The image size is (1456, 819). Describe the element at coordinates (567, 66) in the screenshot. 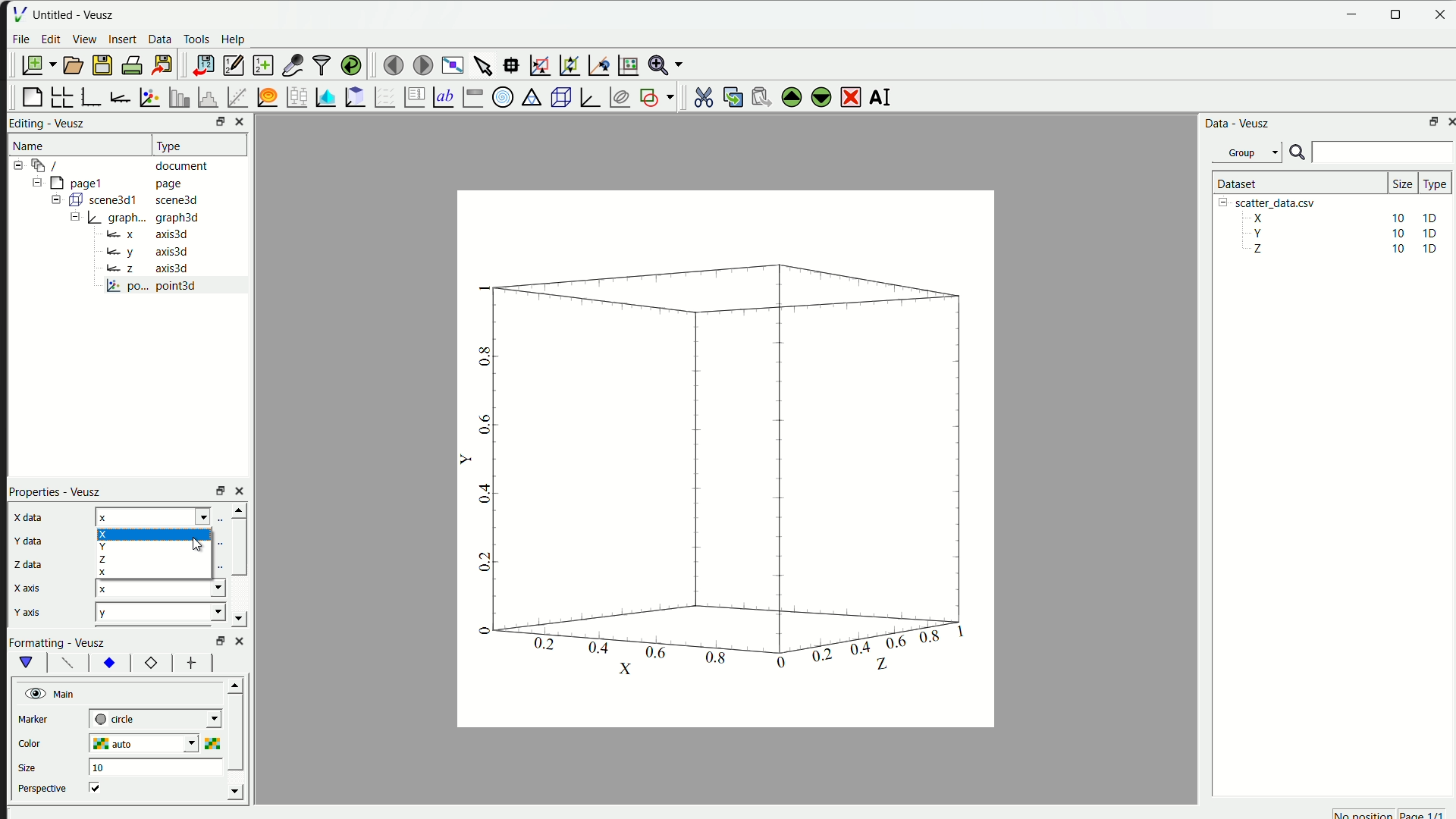

I see `zoom out graph axes` at that location.